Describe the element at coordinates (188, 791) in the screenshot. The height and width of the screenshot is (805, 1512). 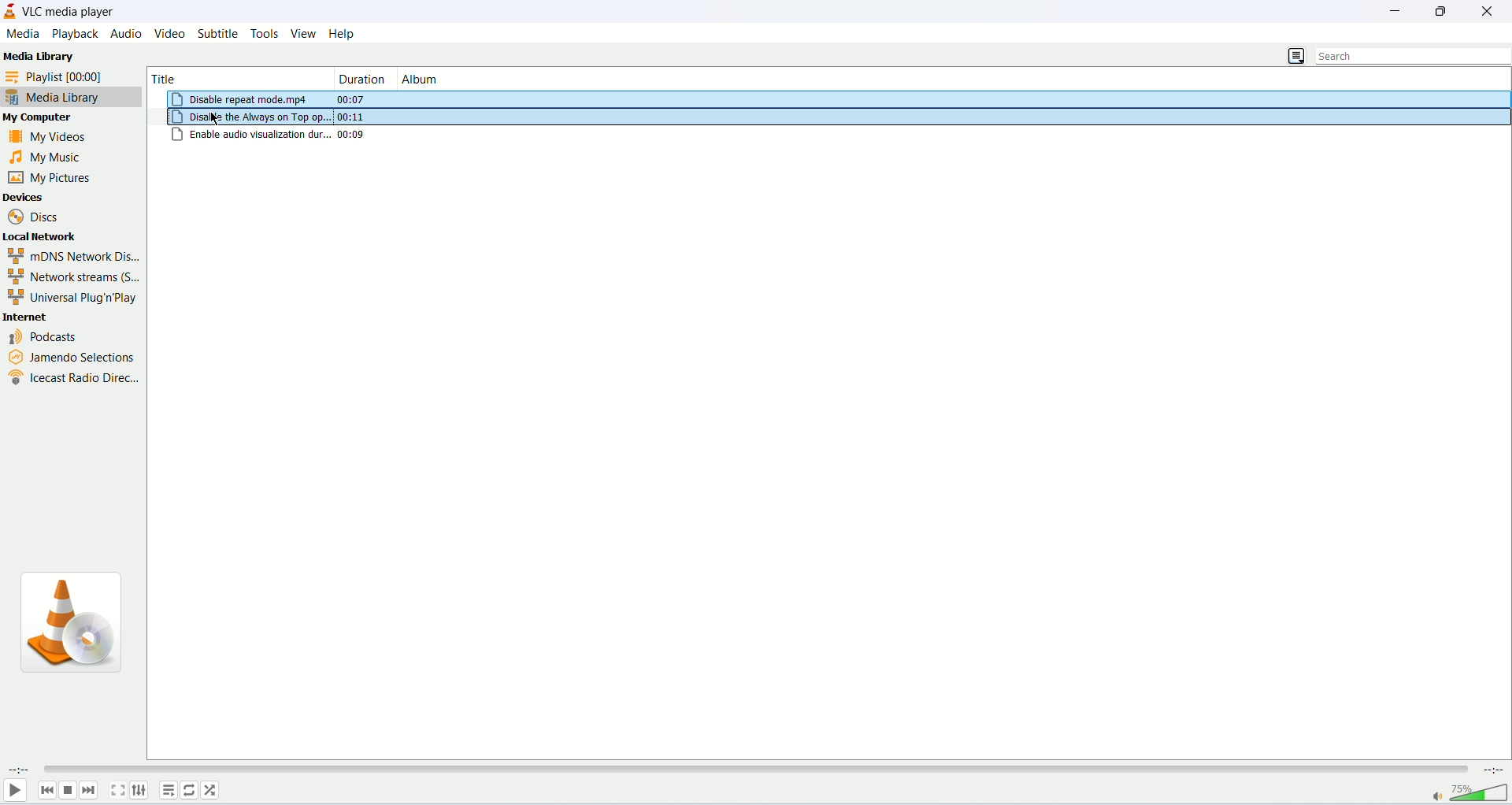
I see `toggle loop` at that location.